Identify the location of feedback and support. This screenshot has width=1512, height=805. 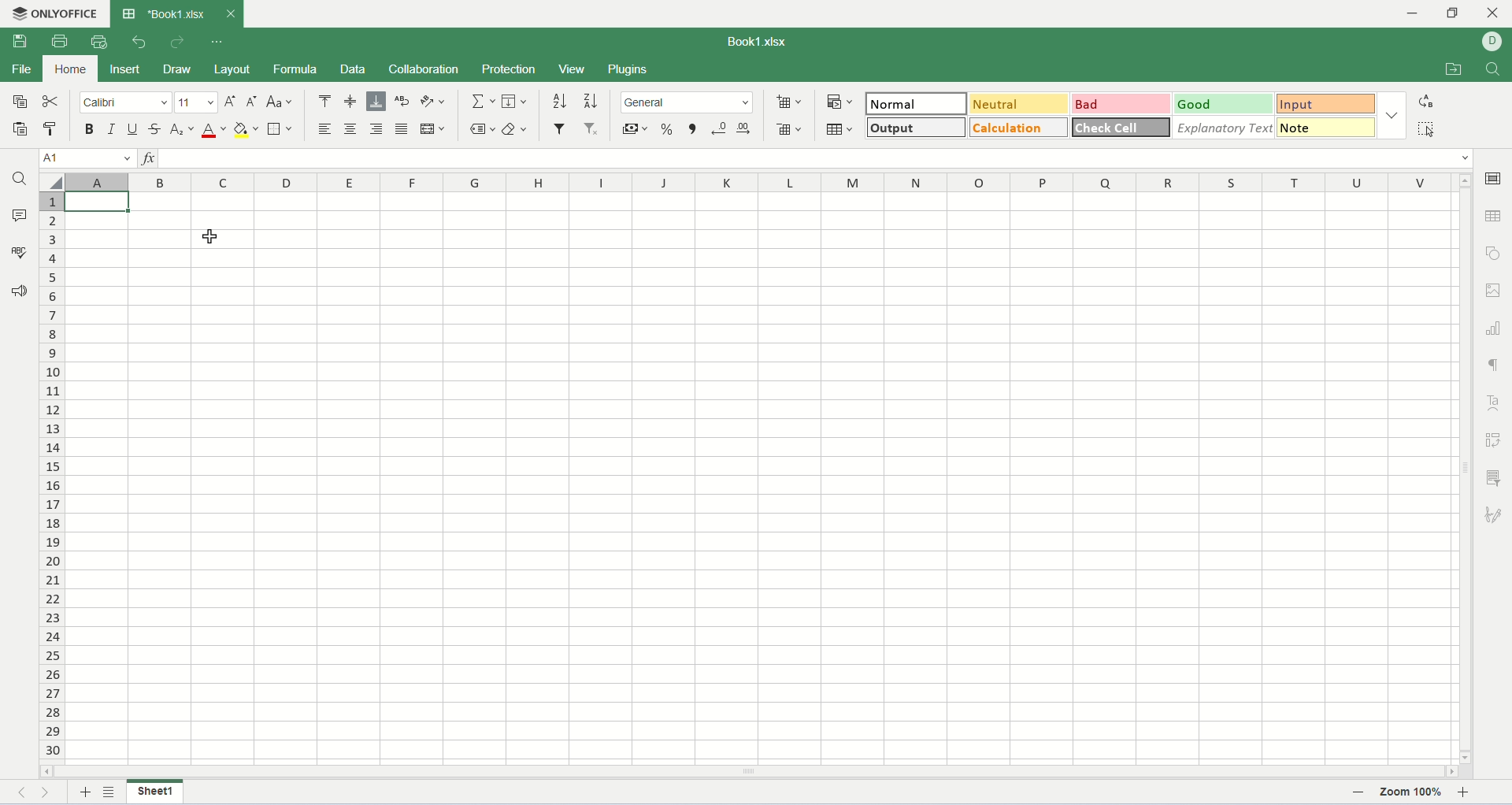
(18, 288).